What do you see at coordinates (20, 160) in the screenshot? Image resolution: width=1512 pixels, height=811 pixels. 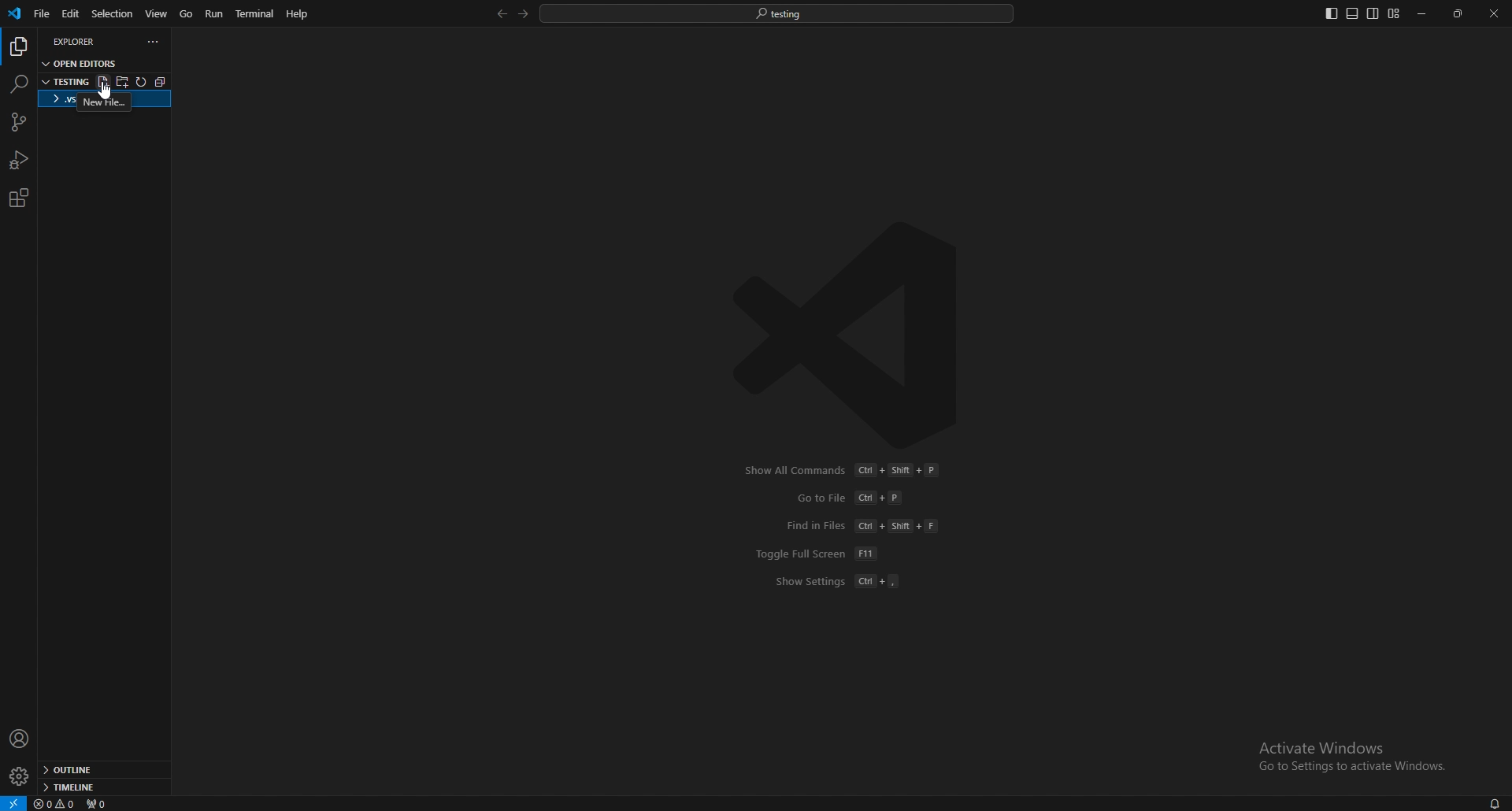 I see `run and debug` at bounding box center [20, 160].